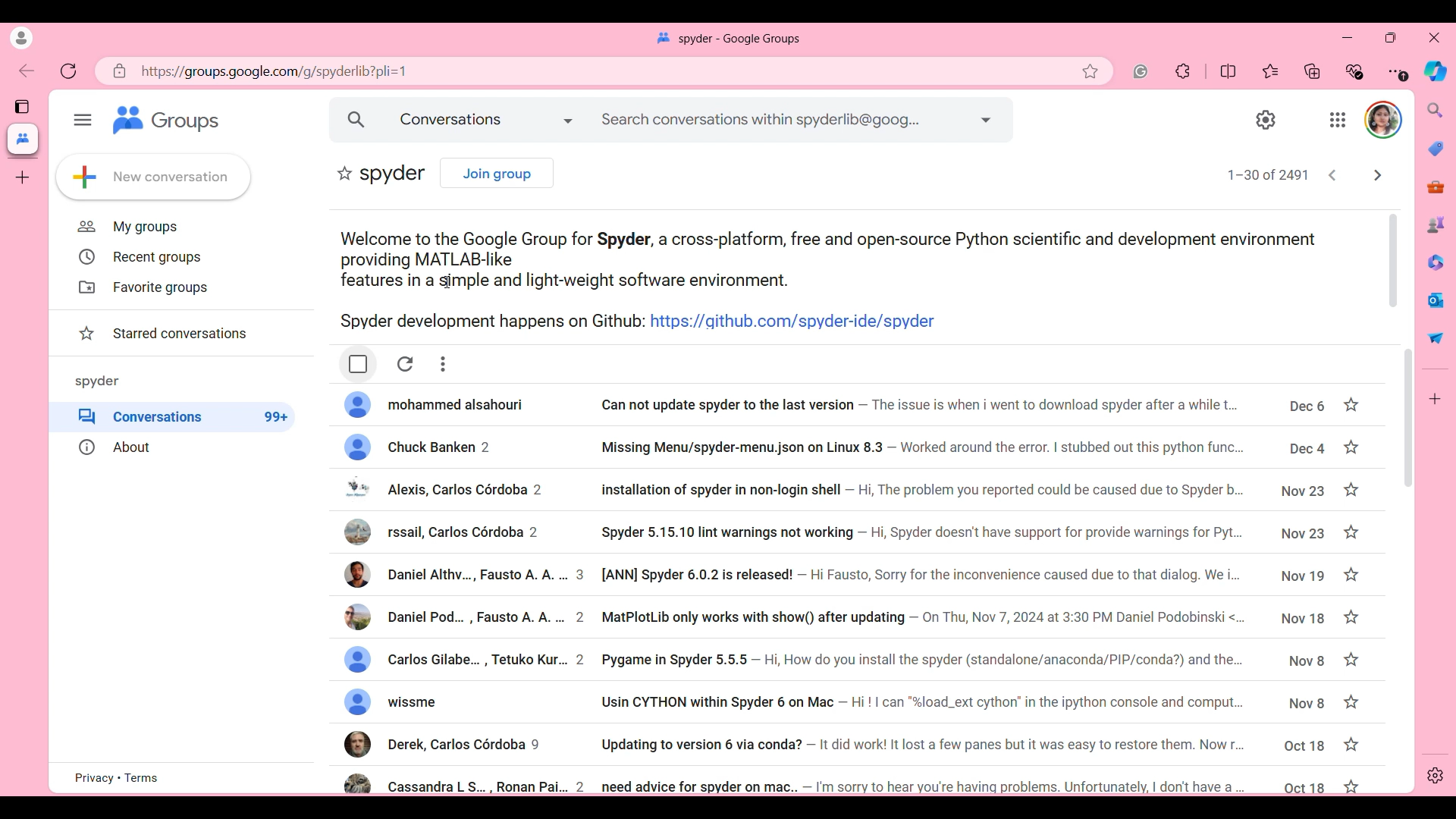  What do you see at coordinates (1332, 174) in the screenshot?
I see `Go to previous` at bounding box center [1332, 174].